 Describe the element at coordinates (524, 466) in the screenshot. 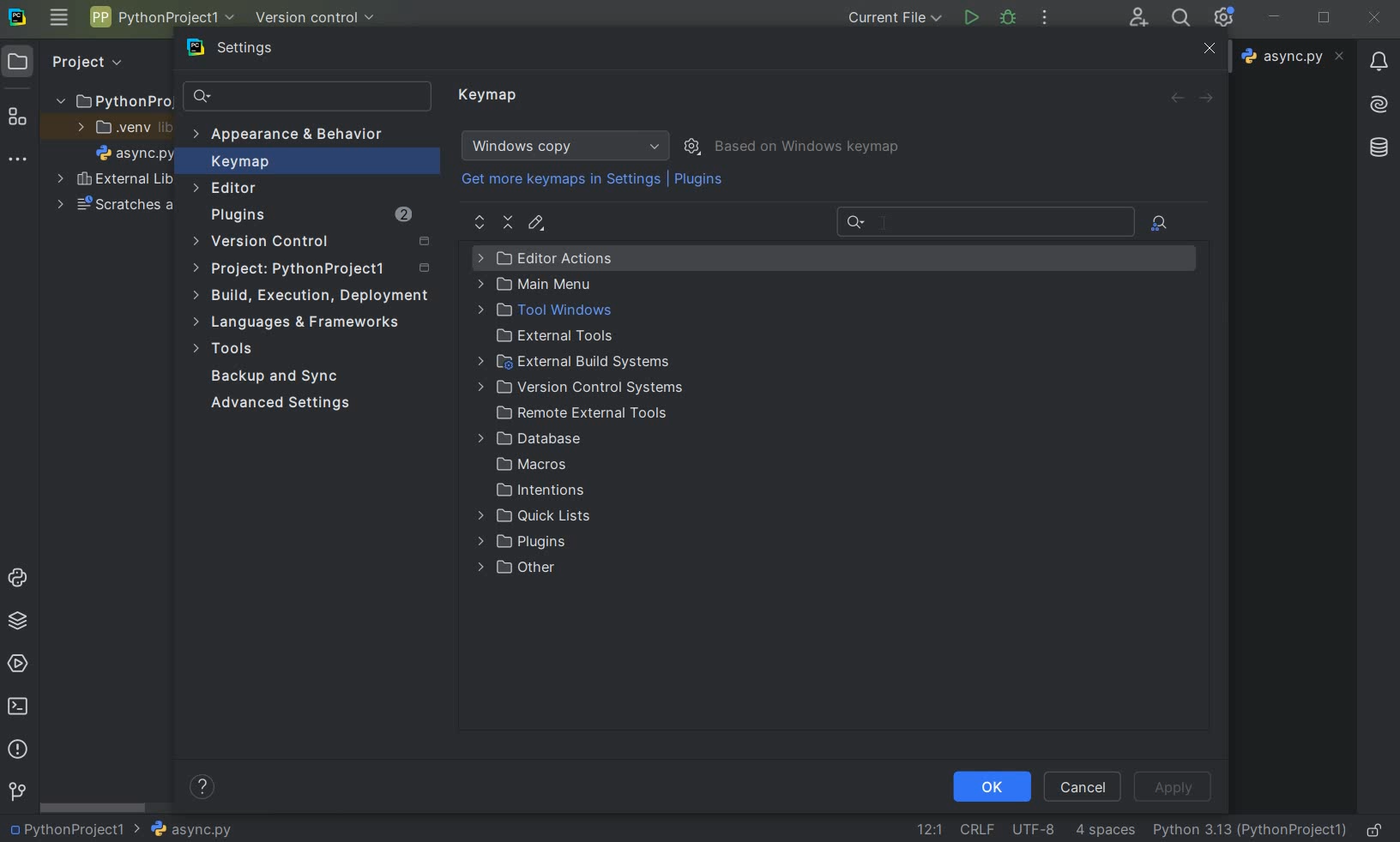

I see `macros` at that location.